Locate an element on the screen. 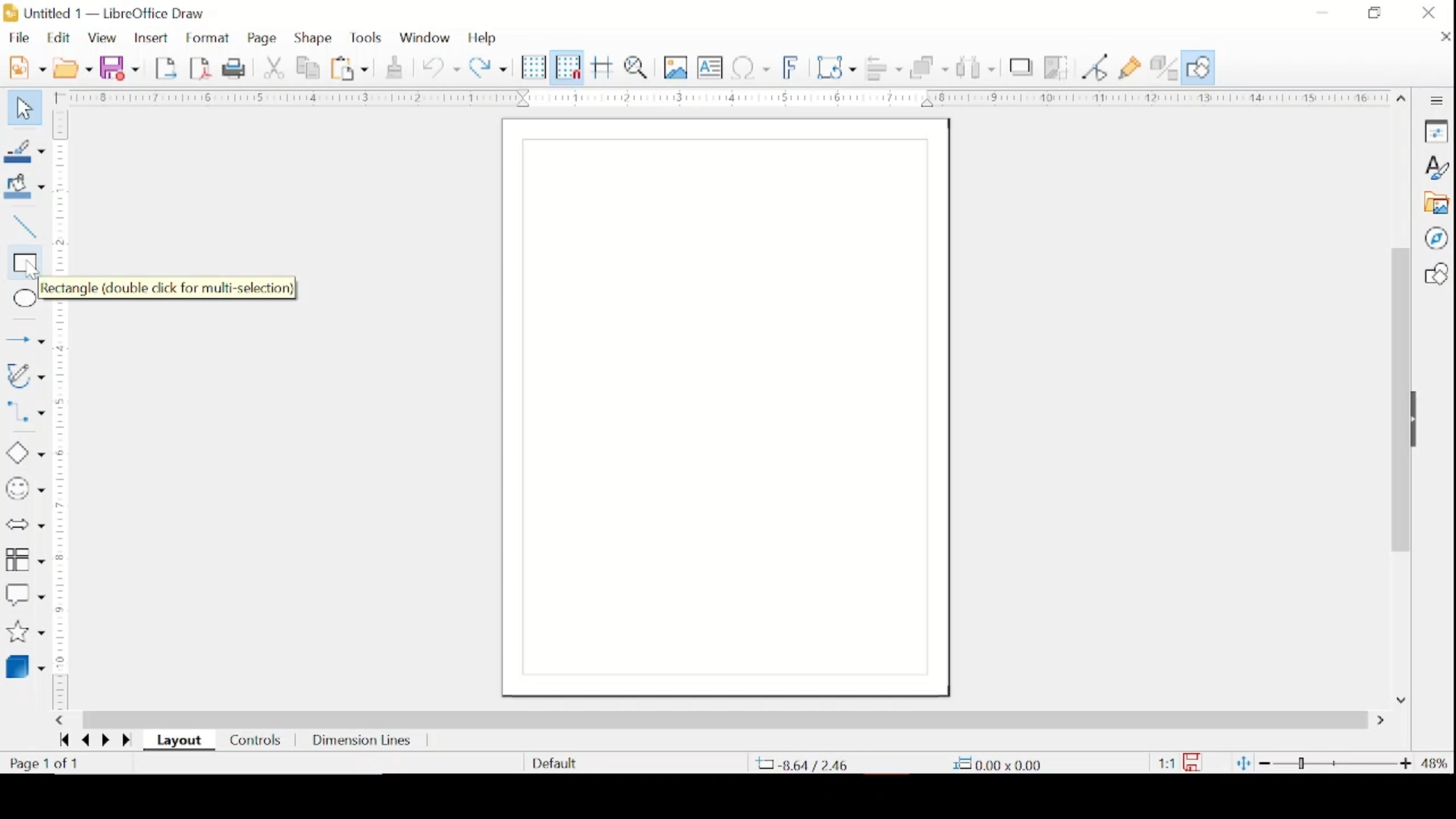  fill color is located at coordinates (27, 187).